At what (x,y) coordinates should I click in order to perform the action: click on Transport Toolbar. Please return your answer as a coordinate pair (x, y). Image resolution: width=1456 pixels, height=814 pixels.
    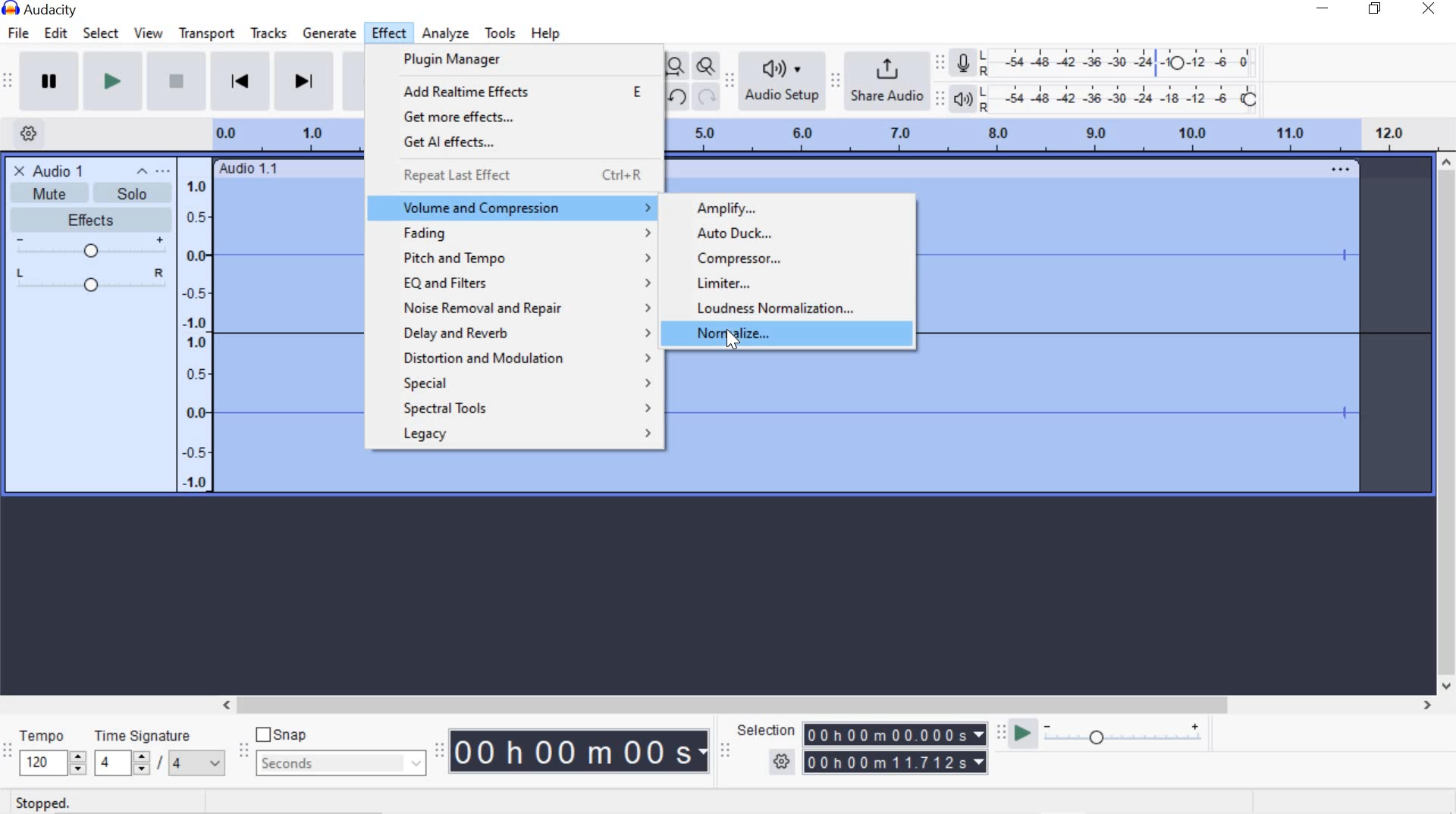
    Looking at the image, I should click on (10, 82).